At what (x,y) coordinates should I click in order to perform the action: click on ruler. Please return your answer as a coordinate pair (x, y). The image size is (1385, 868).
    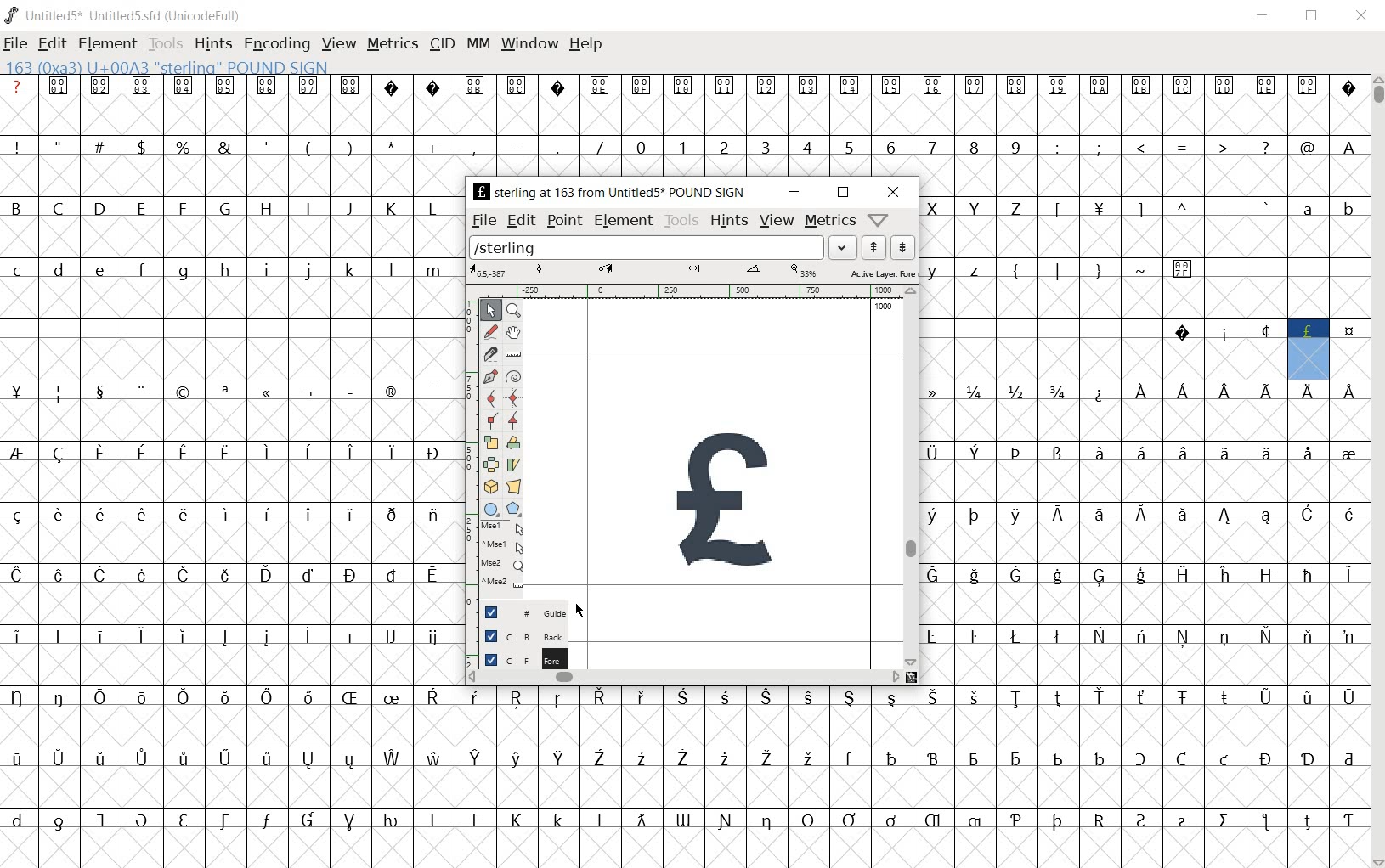
    Looking at the image, I should click on (692, 291).